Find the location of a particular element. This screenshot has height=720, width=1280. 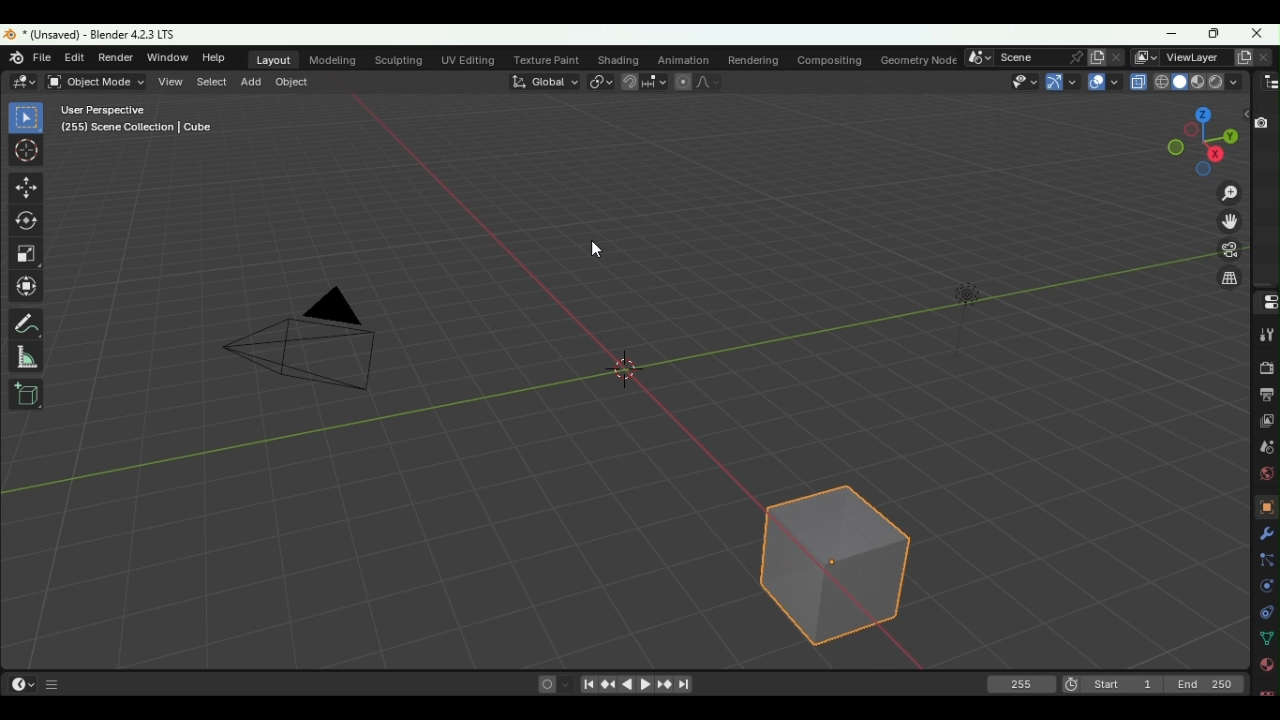

Rotate the view is located at coordinates (1227, 136).